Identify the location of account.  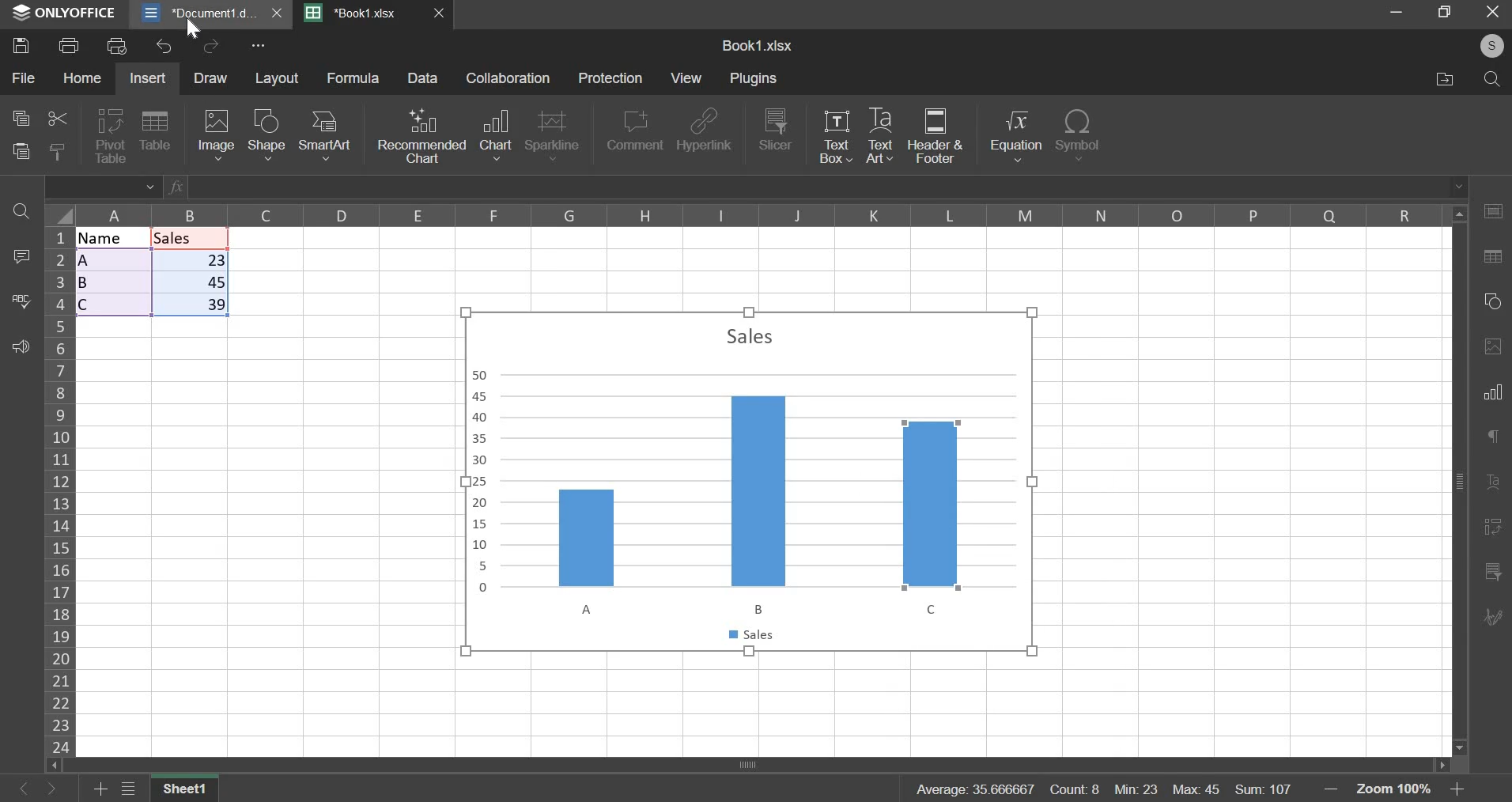
(1488, 50).